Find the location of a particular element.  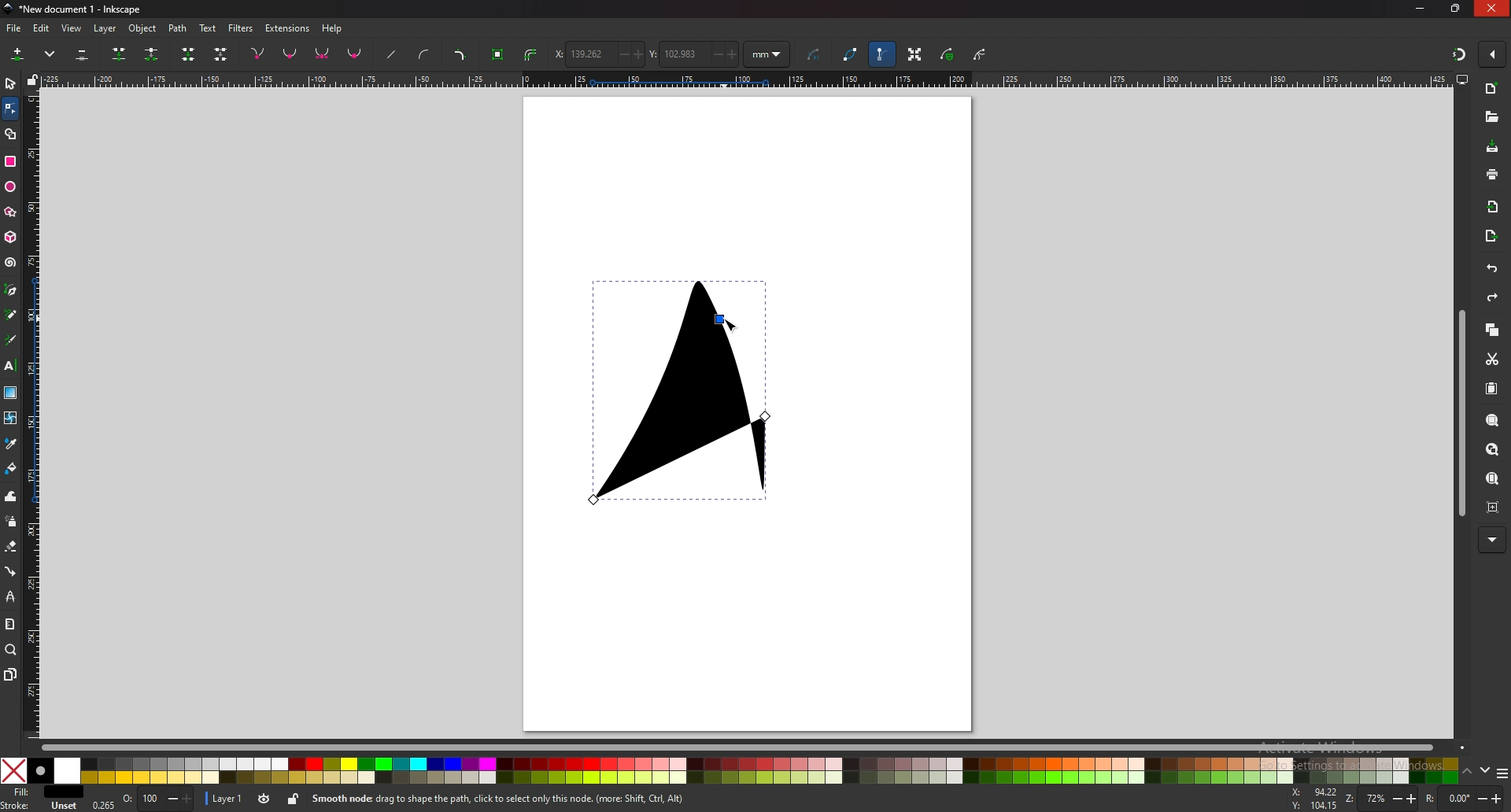

0.265 is located at coordinates (102, 804).